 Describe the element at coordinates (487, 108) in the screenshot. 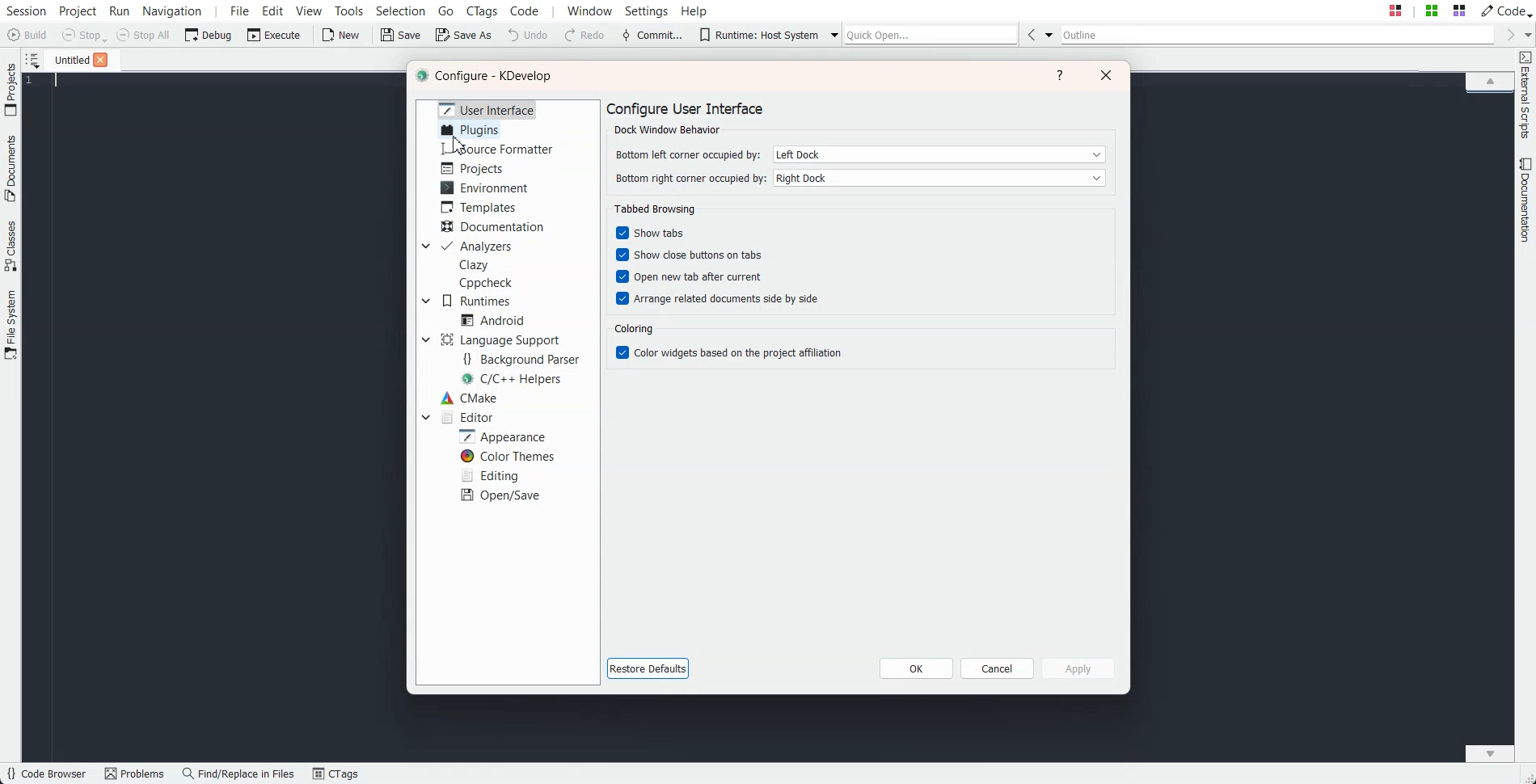

I see `User Interface` at that location.